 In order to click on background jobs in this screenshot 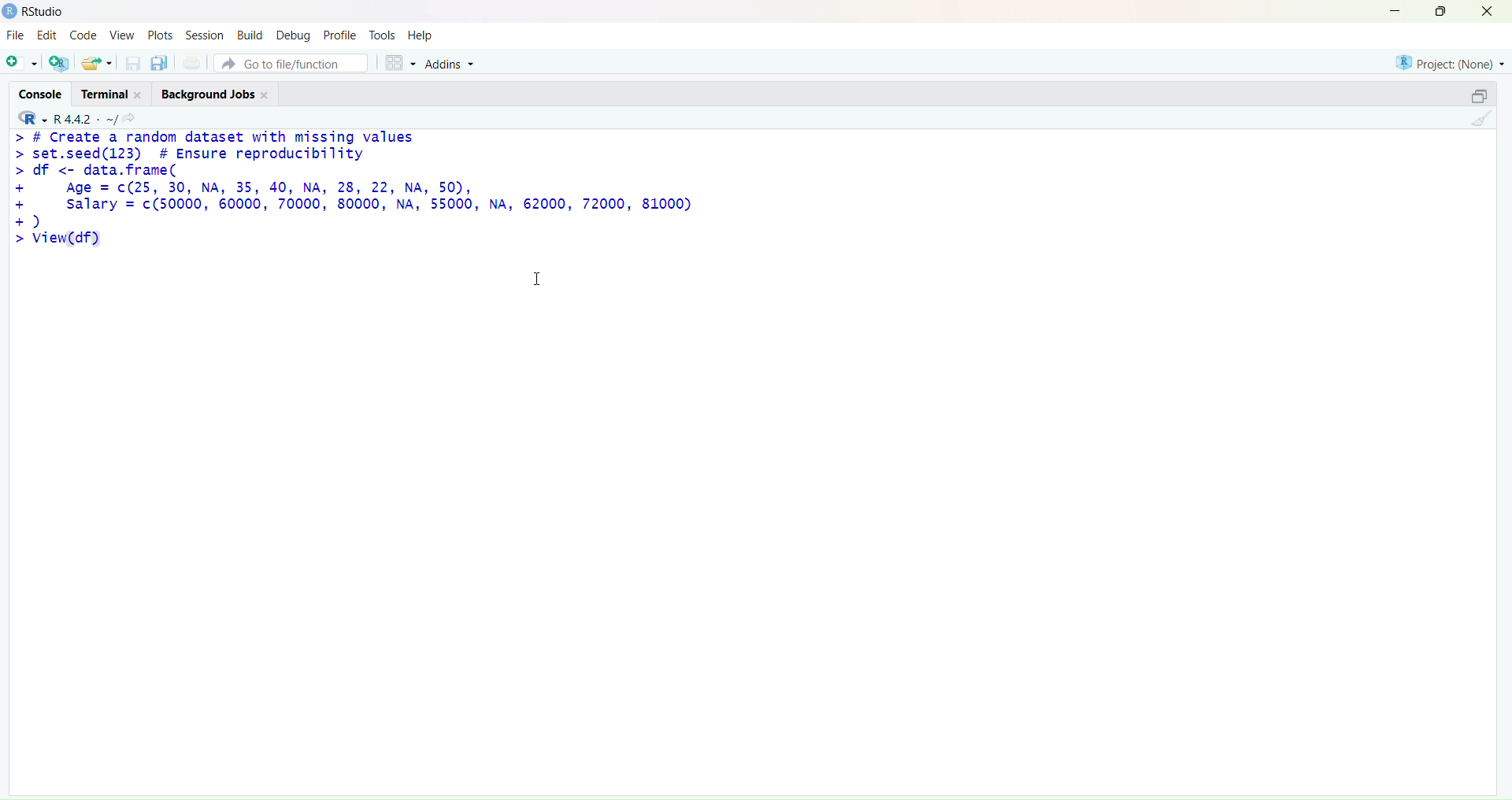, I will do `click(219, 94)`.